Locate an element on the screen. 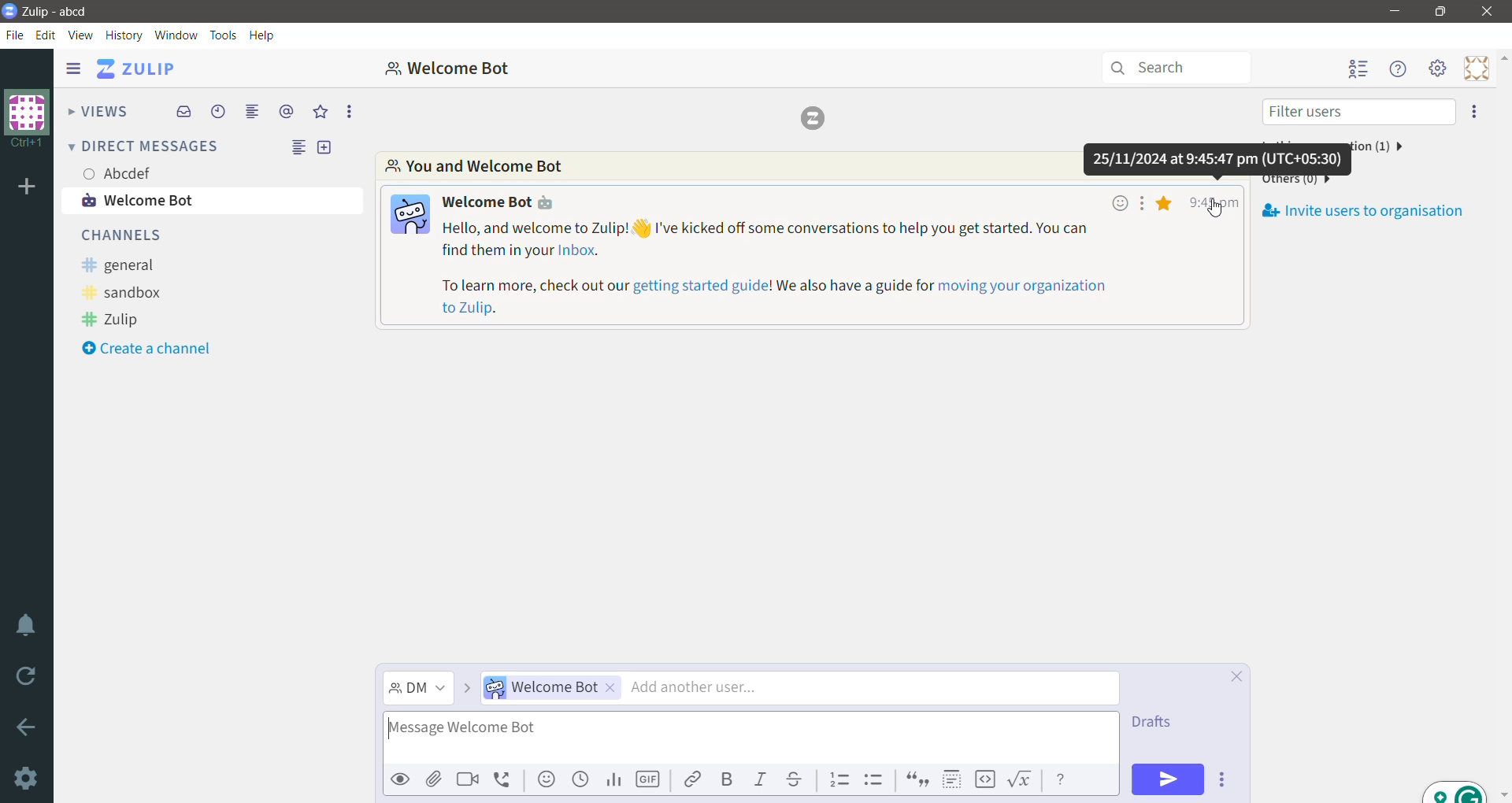 Image resolution: width=1512 pixels, height=803 pixels. Vertical Scroll Bar is located at coordinates (1503, 424).